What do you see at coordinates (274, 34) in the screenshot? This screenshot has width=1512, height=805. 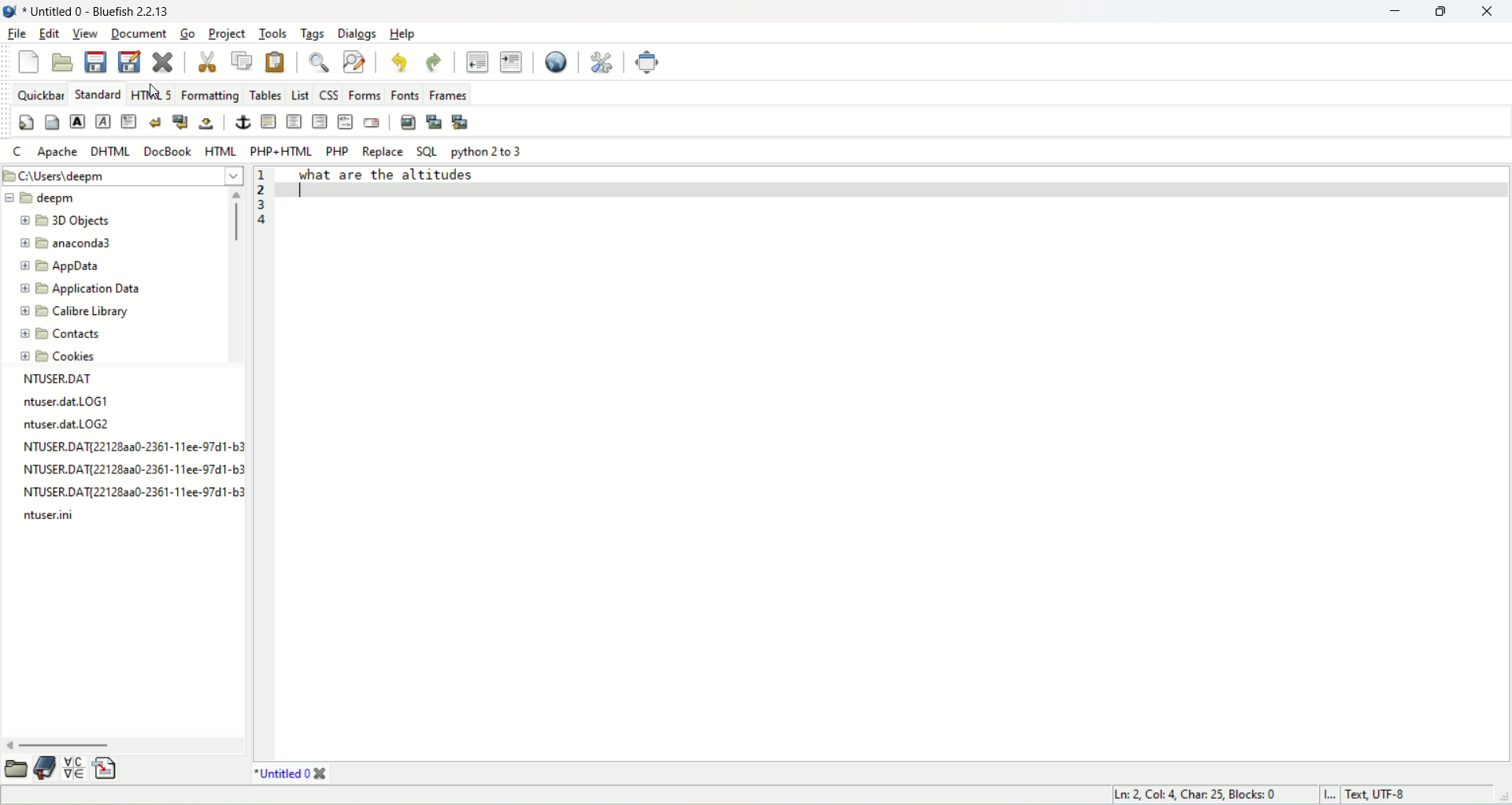 I see `tools` at bounding box center [274, 34].